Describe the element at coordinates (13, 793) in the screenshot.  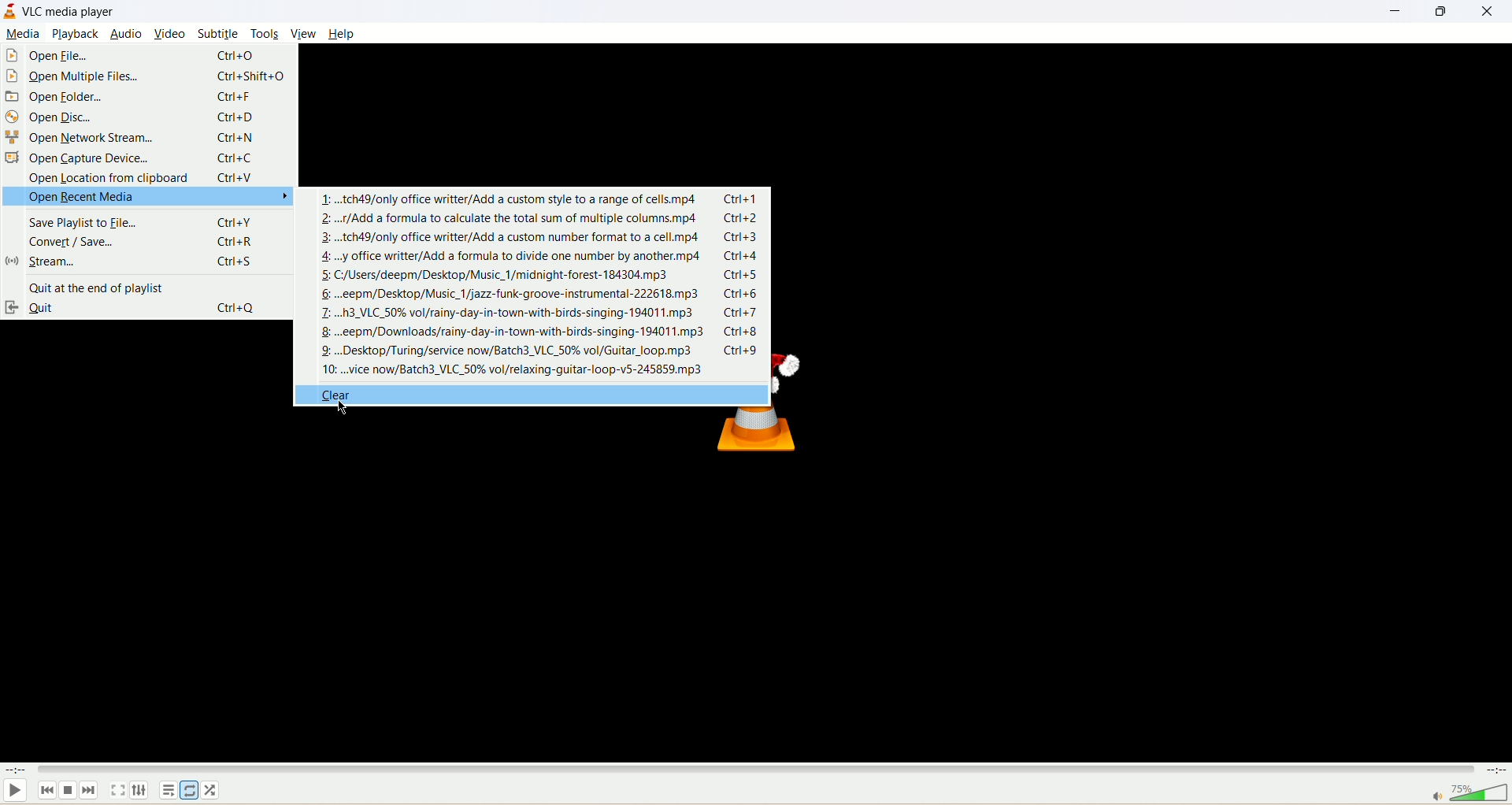
I see `play` at that location.